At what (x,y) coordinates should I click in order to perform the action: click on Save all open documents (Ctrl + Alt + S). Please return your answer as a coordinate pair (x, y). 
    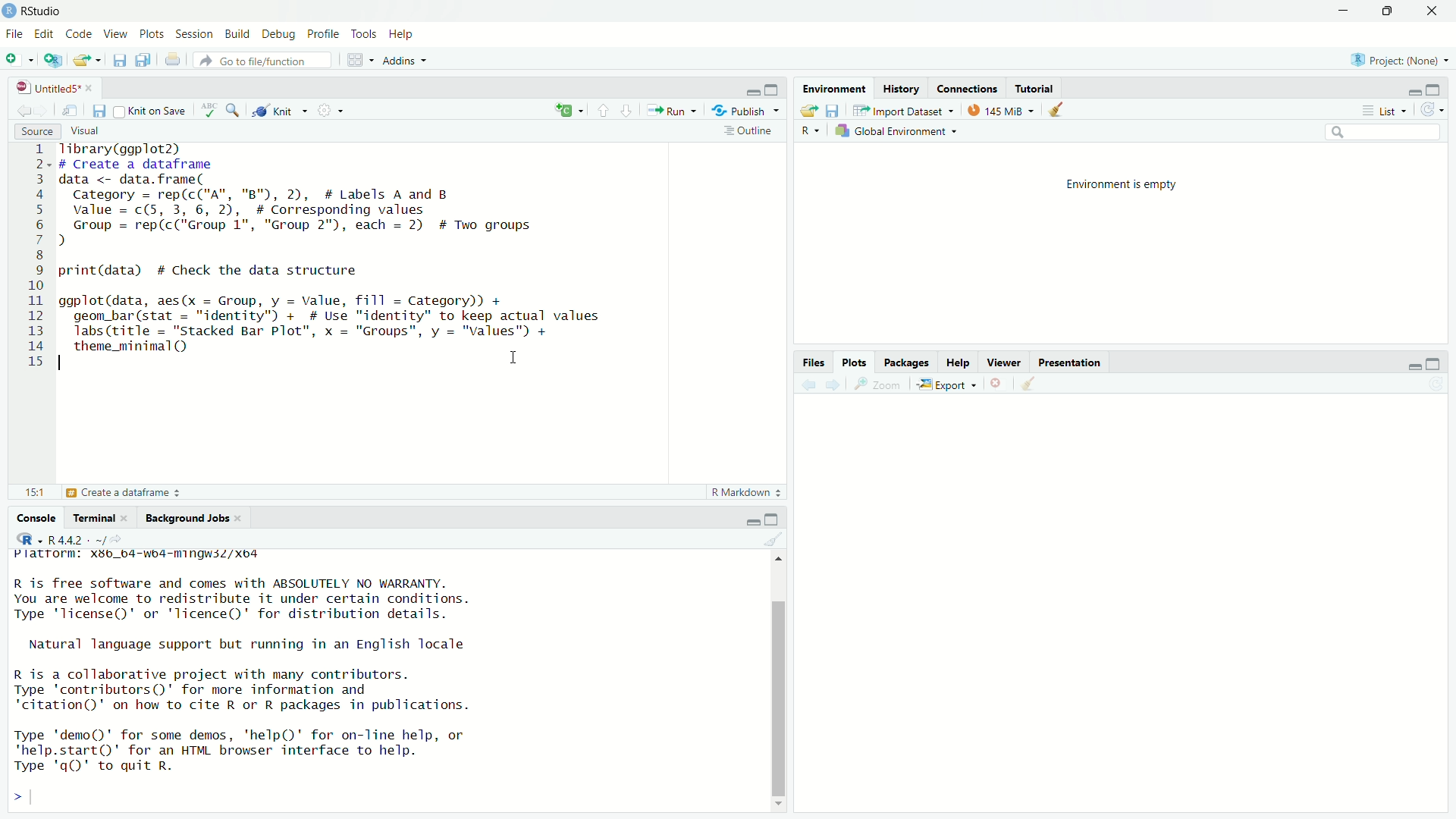
    Looking at the image, I should click on (145, 60).